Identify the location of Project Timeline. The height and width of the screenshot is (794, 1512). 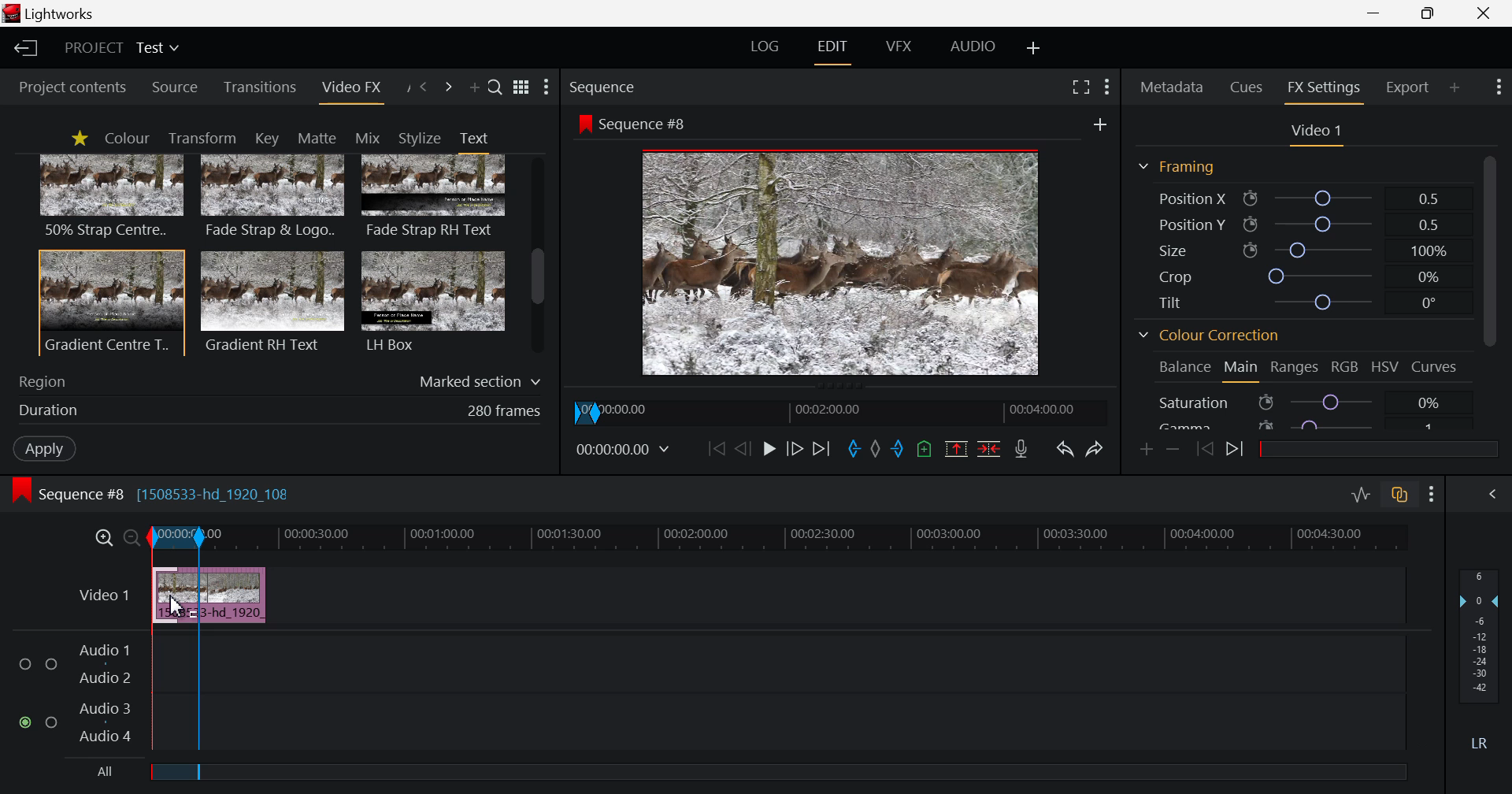
(775, 538).